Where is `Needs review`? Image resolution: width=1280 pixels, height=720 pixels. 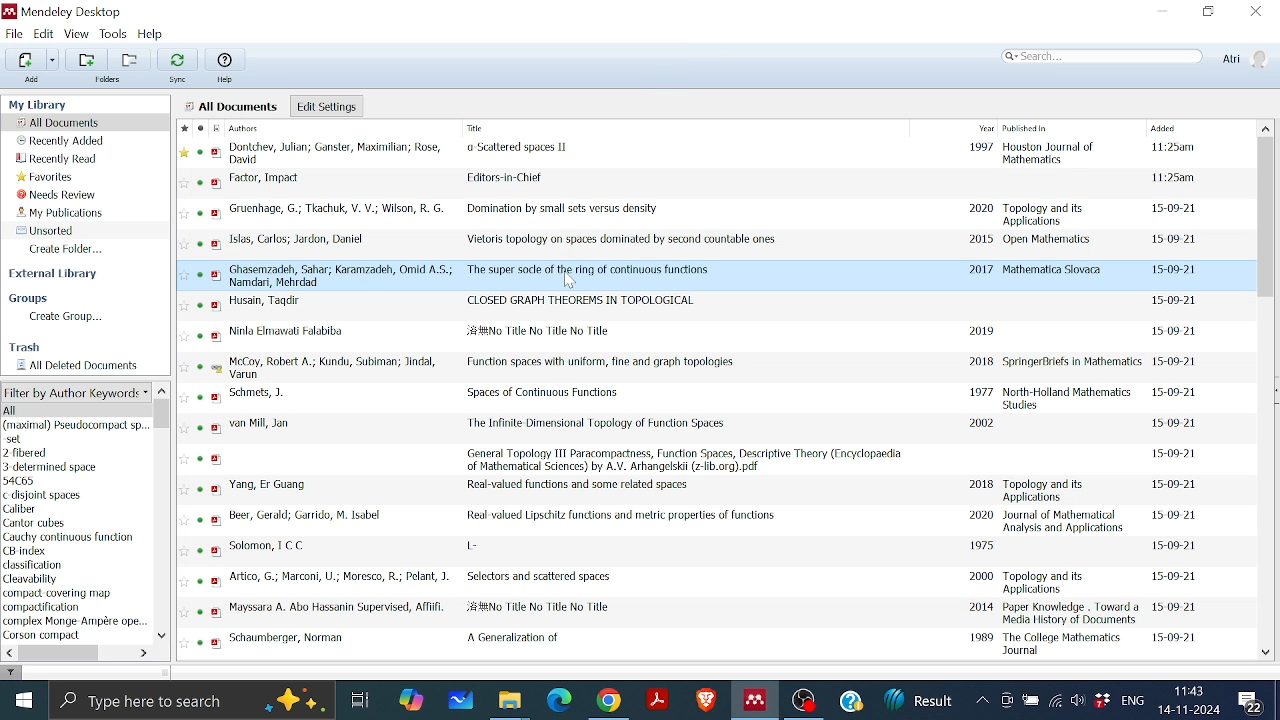
Needs review is located at coordinates (59, 194).